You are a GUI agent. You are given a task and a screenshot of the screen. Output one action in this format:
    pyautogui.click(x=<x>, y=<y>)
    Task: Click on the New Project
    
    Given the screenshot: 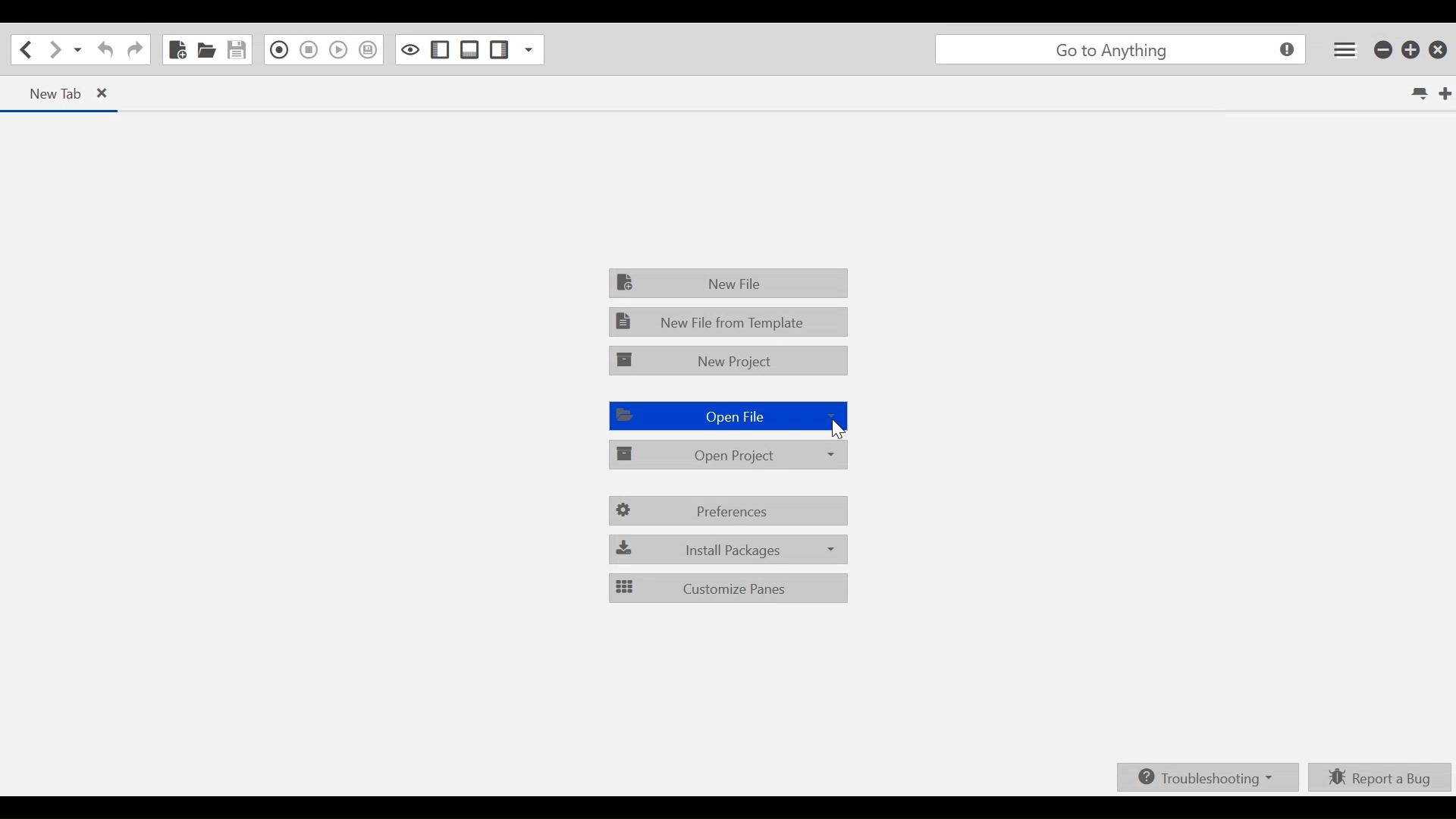 What is the action you would take?
    pyautogui.click(x=729, y=358)
    